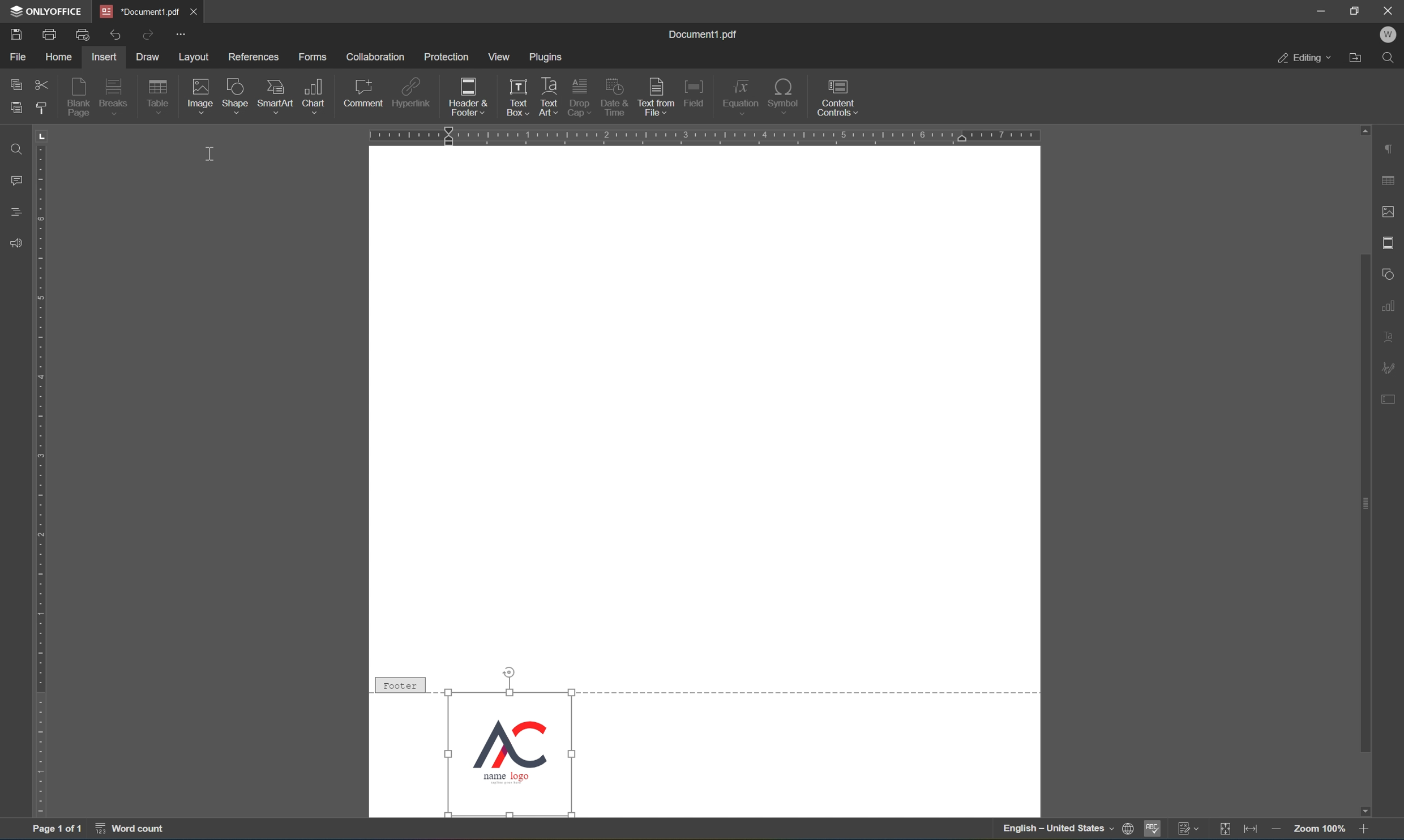 The height and width of the screenshot is (840, 1404). What do you see at coordinates (41, 488) in the screenshot?
I see `ruler` at bounding box center [41, 488].